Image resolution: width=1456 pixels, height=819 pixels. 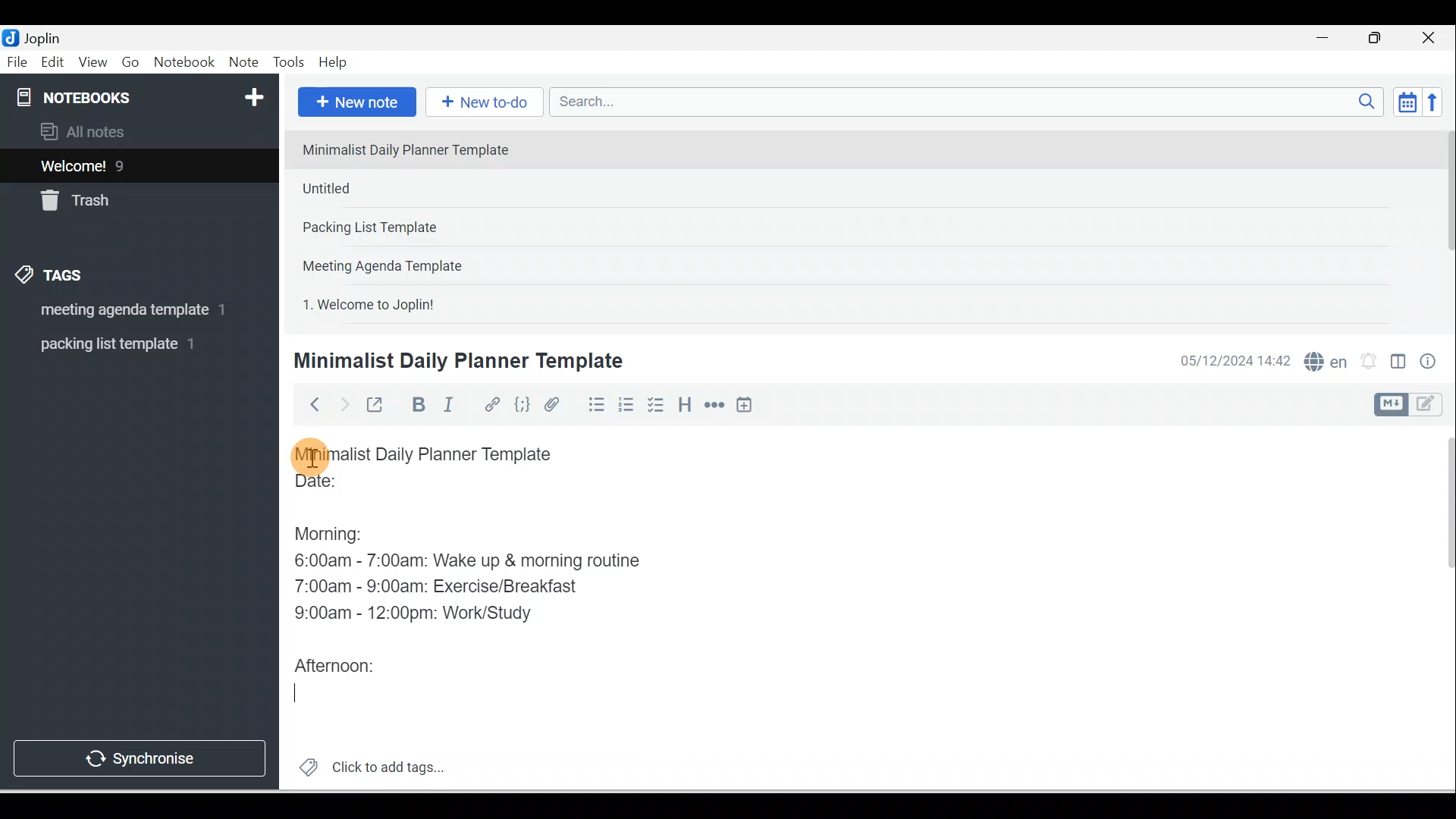 I want to click on Bold, so click(x=416, y=405).